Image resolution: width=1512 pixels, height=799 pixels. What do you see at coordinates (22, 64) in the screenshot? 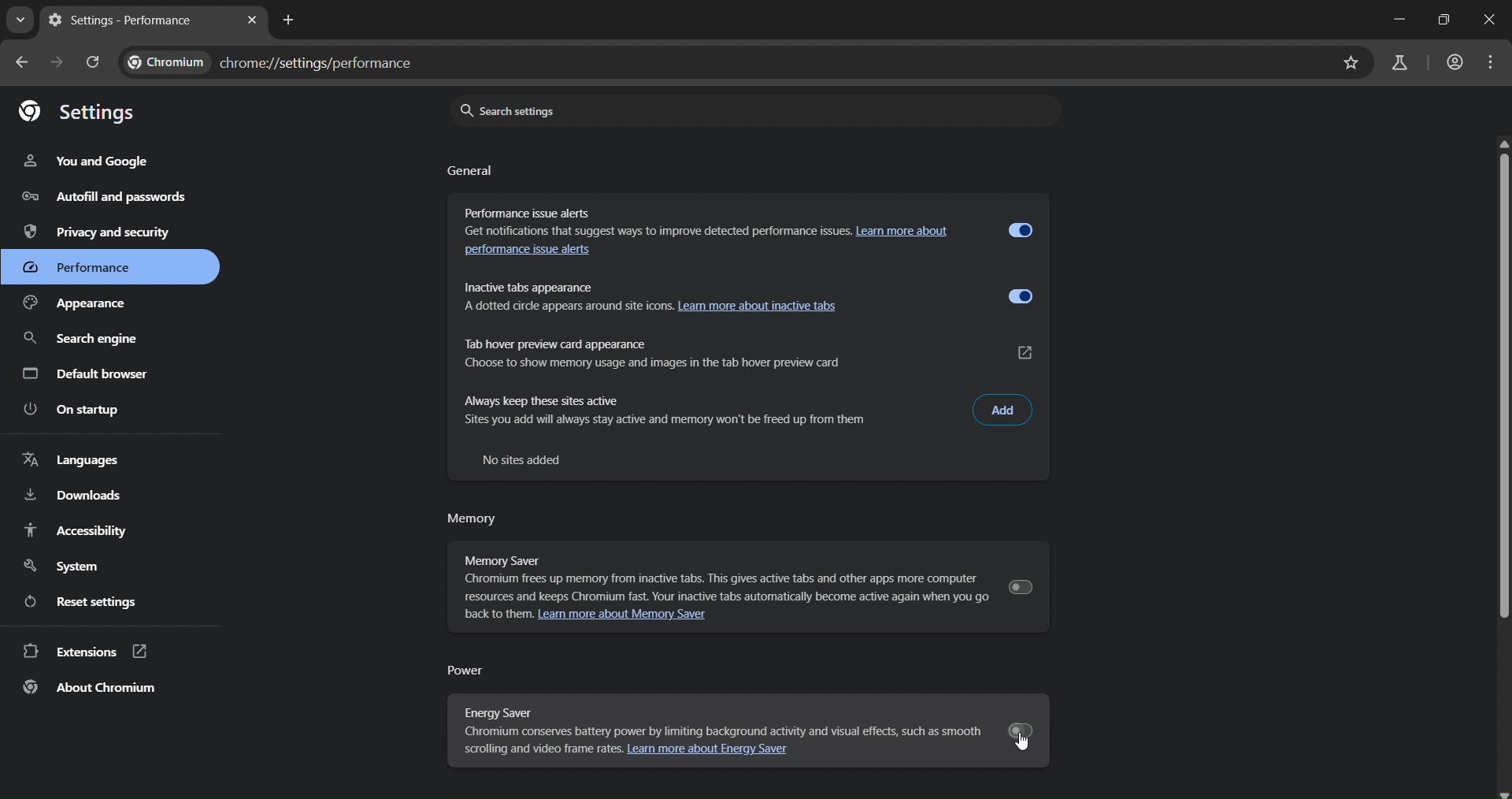
I see `go back one page` at bounding box center [22, 64].